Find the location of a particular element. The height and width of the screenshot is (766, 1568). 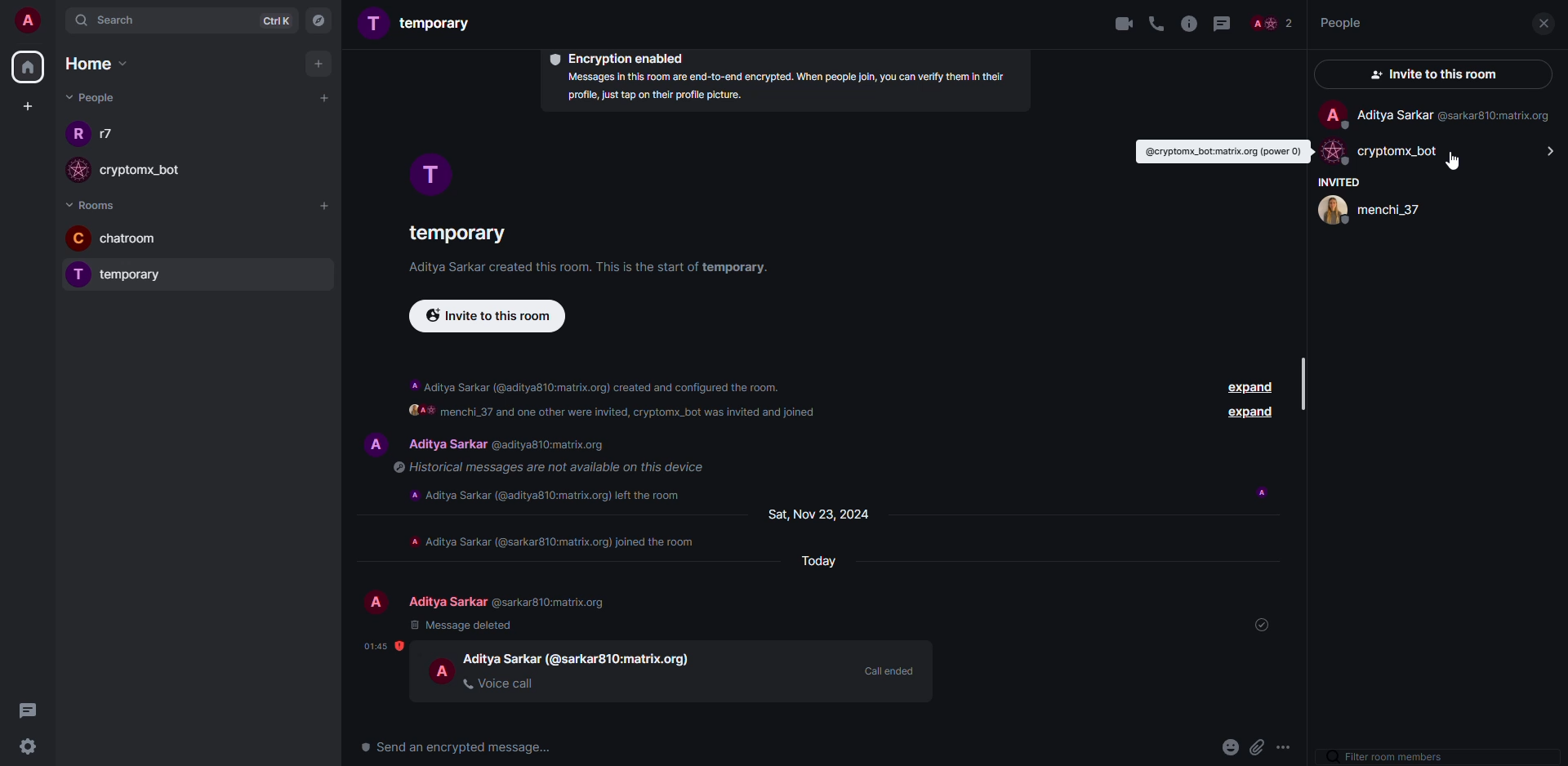

people is located at coordinates (111, 135).